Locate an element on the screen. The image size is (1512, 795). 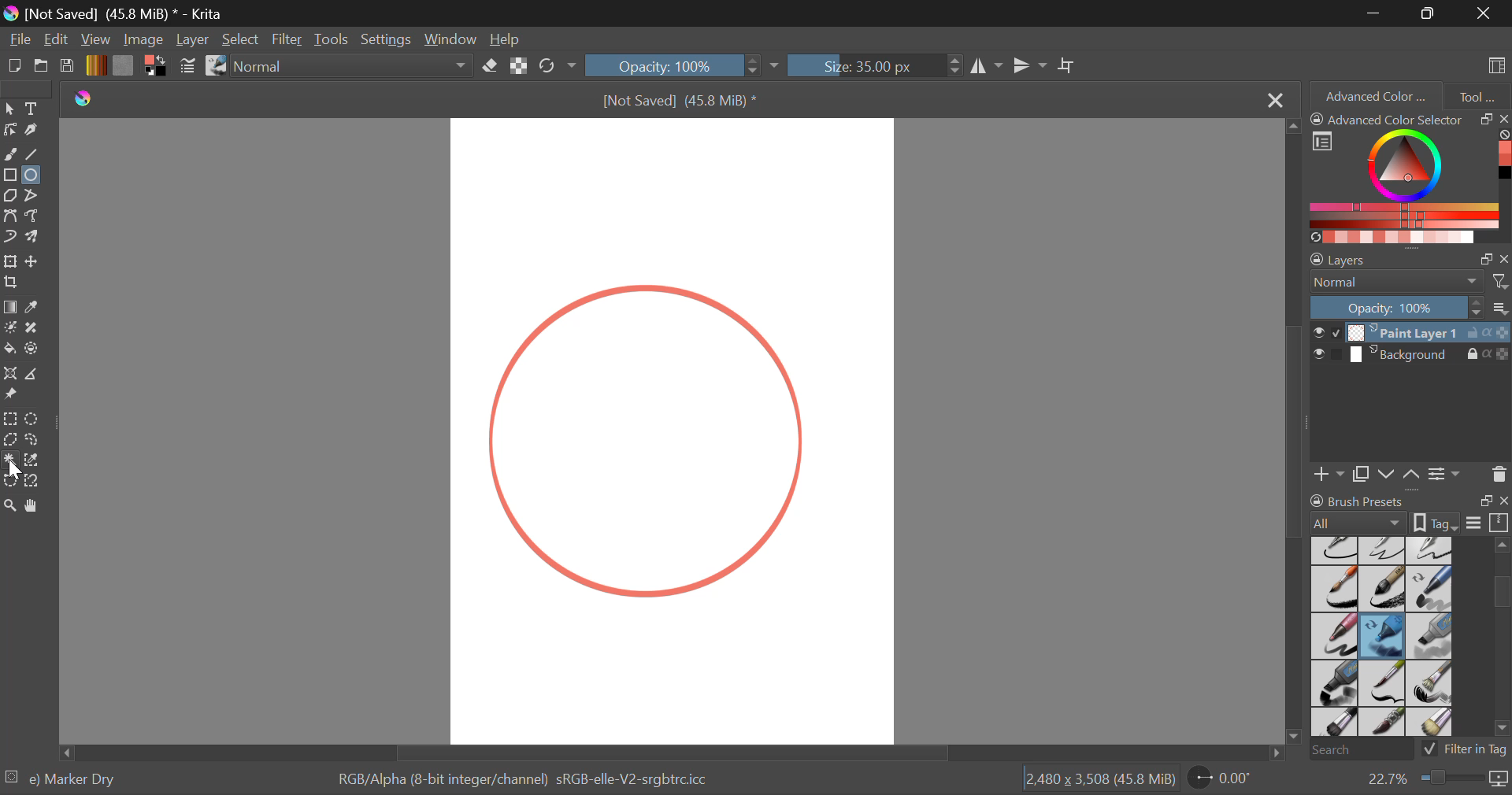
Save is located at coordinates (68, 67).